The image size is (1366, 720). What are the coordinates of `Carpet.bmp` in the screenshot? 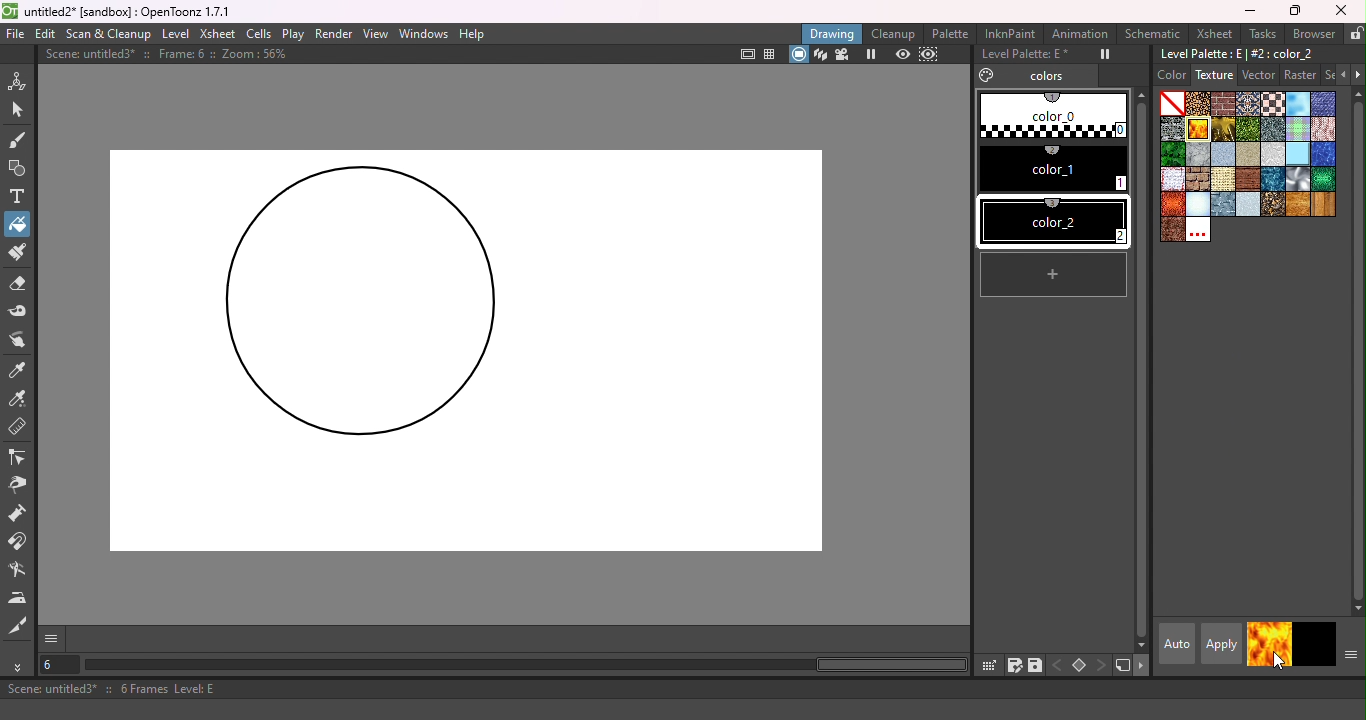 It's located at (1249, 104).